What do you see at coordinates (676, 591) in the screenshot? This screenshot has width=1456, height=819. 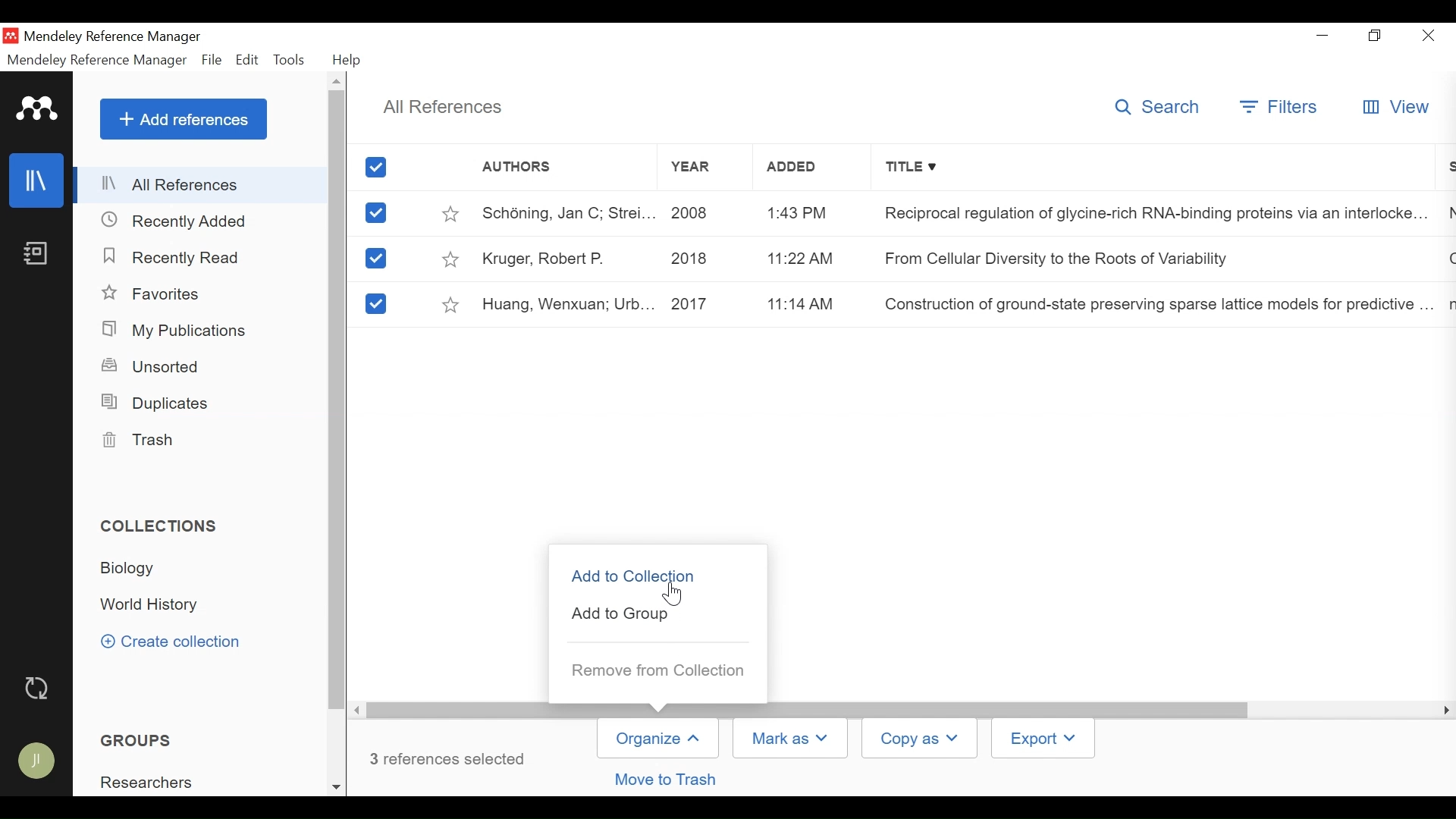 I see `Cursor` at bounding box center [676, 591].